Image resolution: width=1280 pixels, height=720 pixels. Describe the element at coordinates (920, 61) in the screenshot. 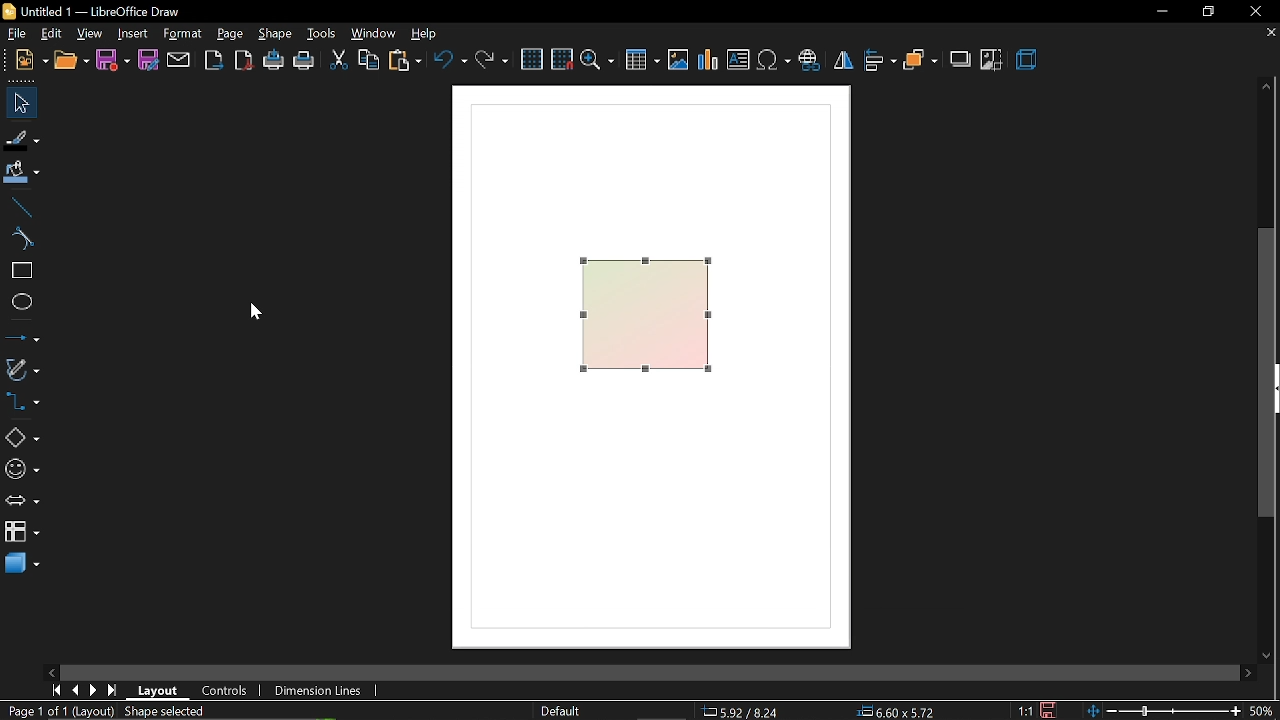

I see `arrange` at that location.